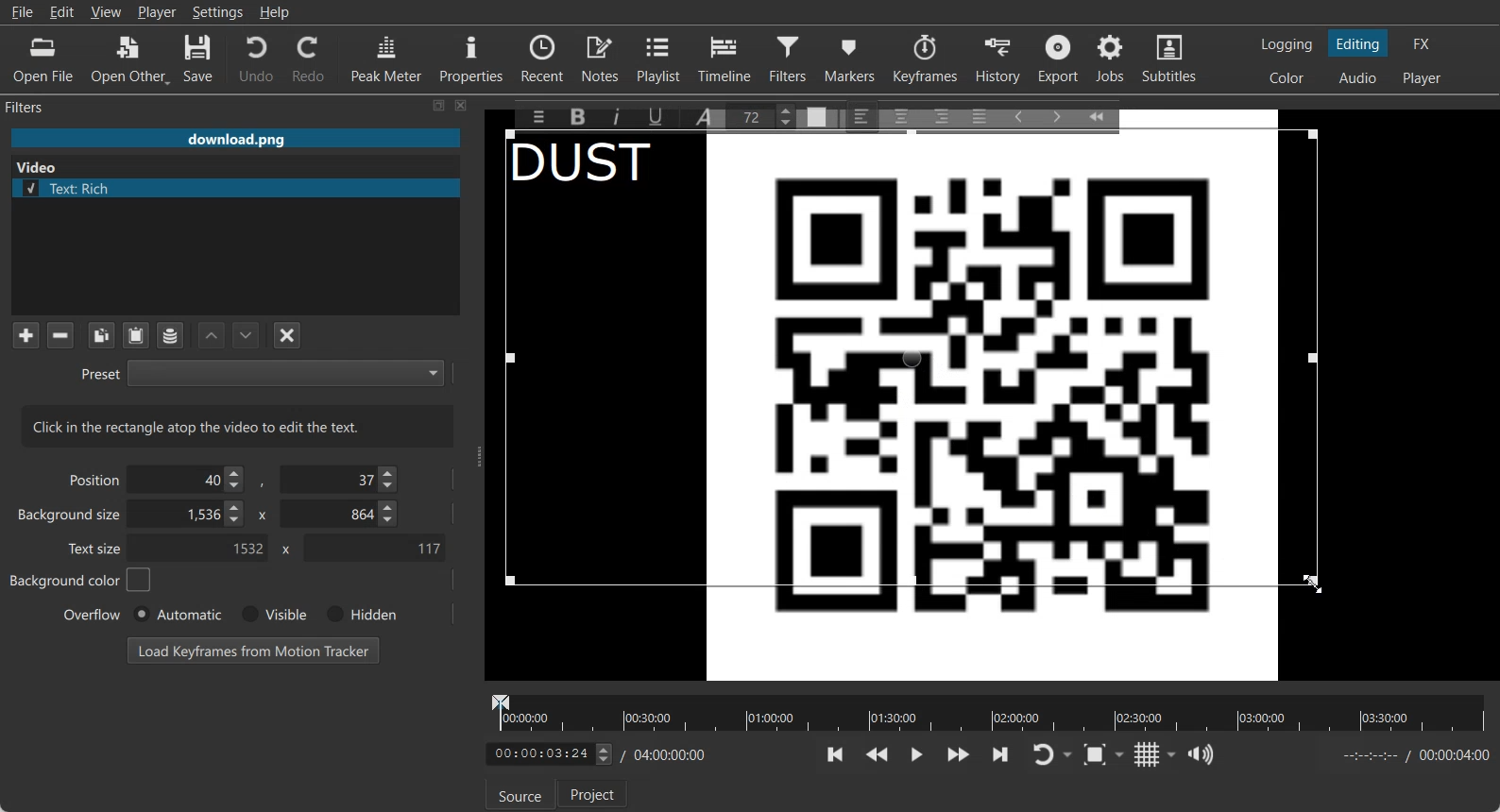 The image size is (1500, 812). What do you see at coordinates (158, 12) in the screenshot?
I see `Player` at bounding box center [158, 12].